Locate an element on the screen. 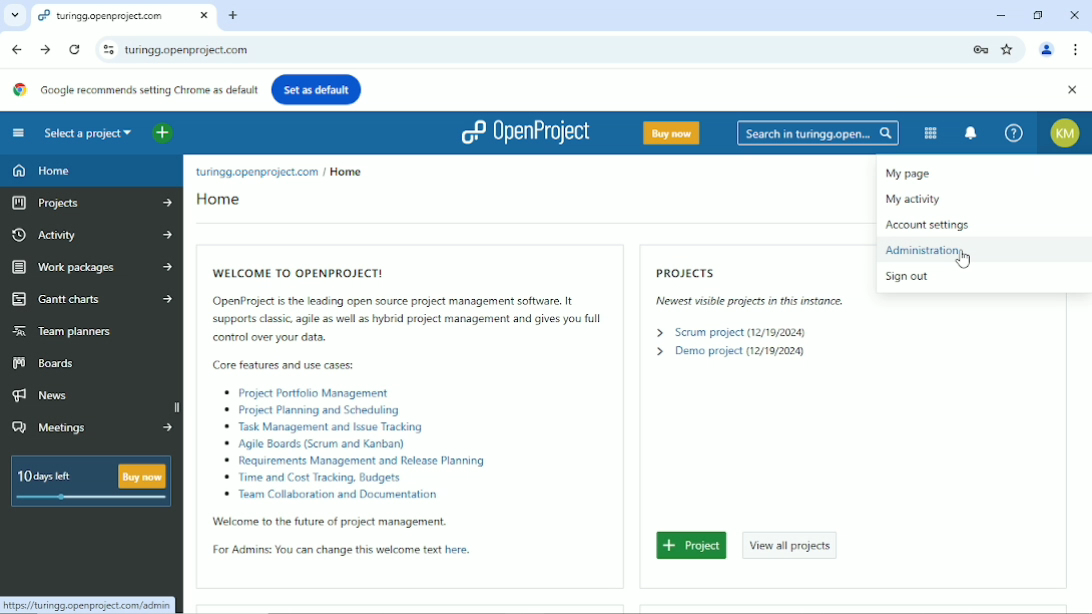  ‘& Project Portfolio Management is located at coordinates (310, 393).